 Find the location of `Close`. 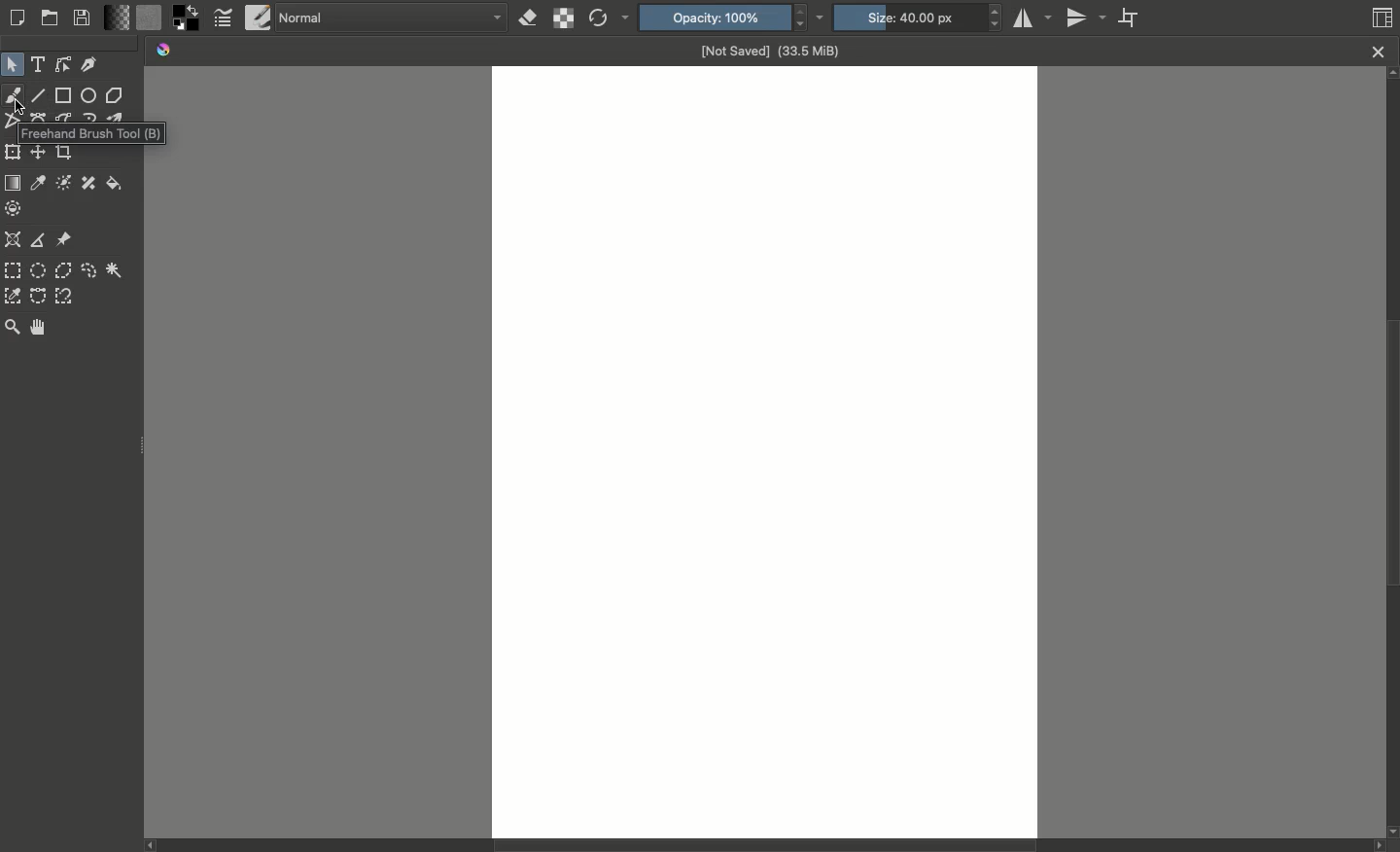

Close is located at coordinates (1378, 52).